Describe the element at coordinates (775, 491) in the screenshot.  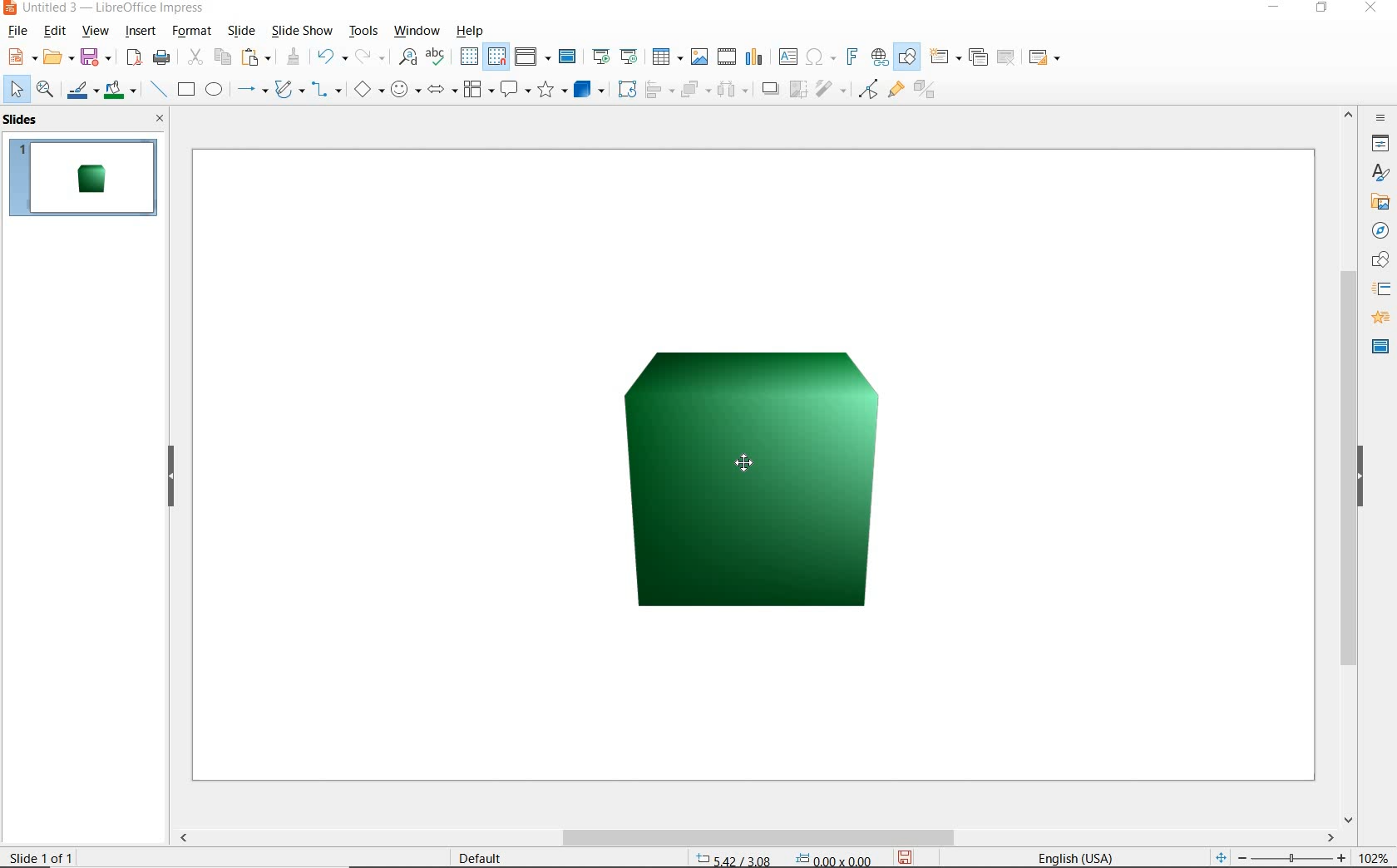
I see `IMAGE` at that location.